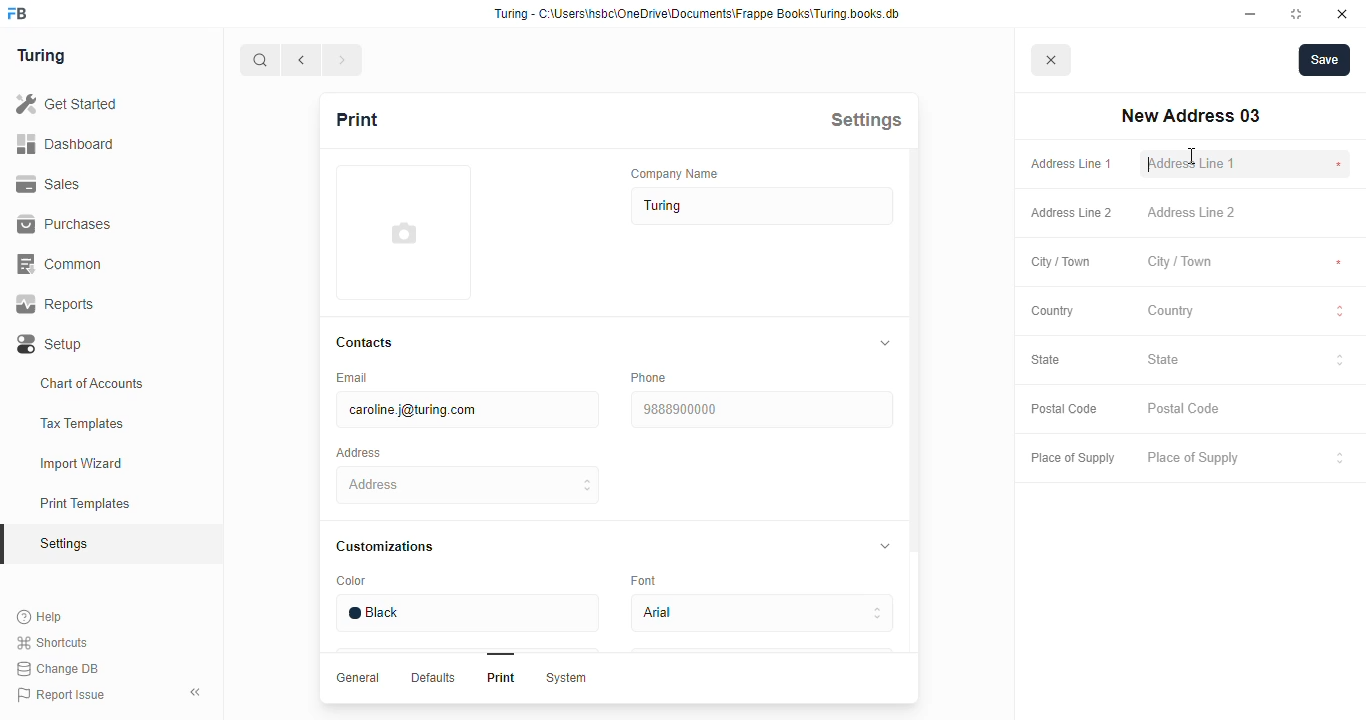  Describe the element at coordinates (260, 60) in the screenshot. I see `search` at that location.